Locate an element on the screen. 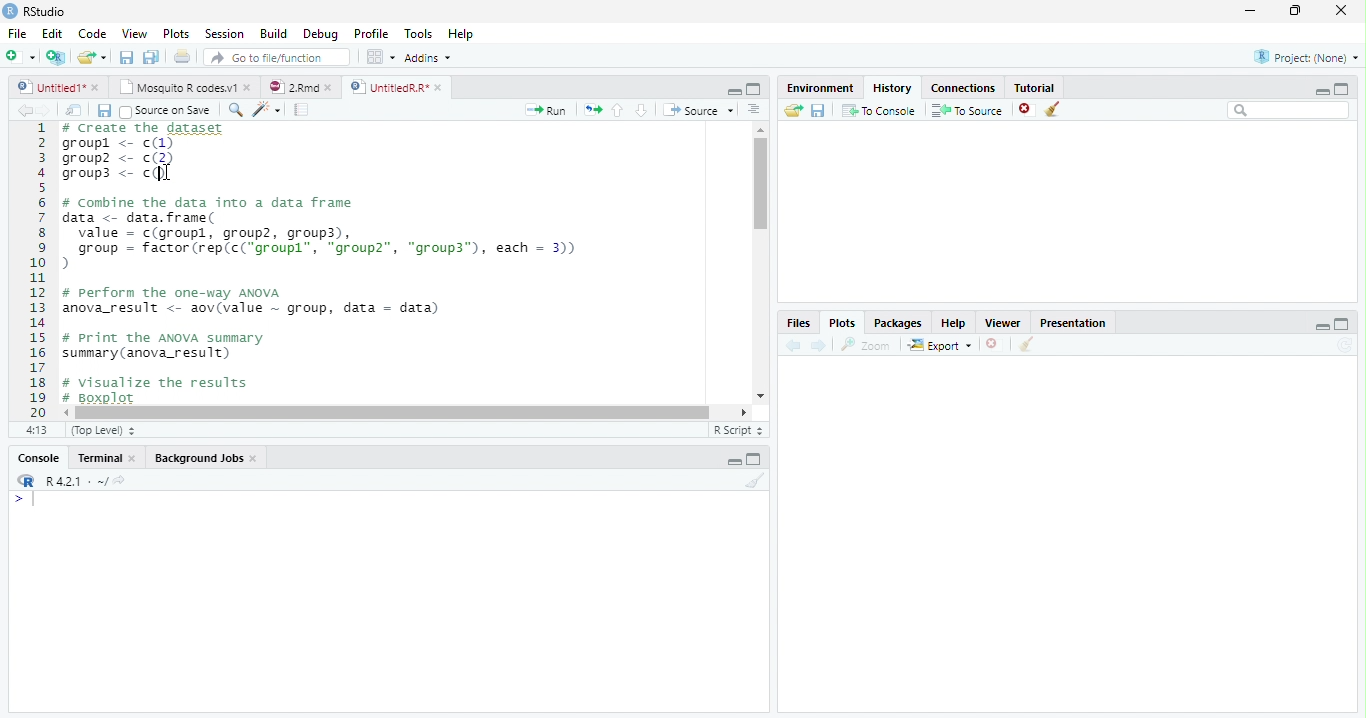 The height and width of the screenshot is (718, 1366). Zoom is located at coordinates (867, 345).